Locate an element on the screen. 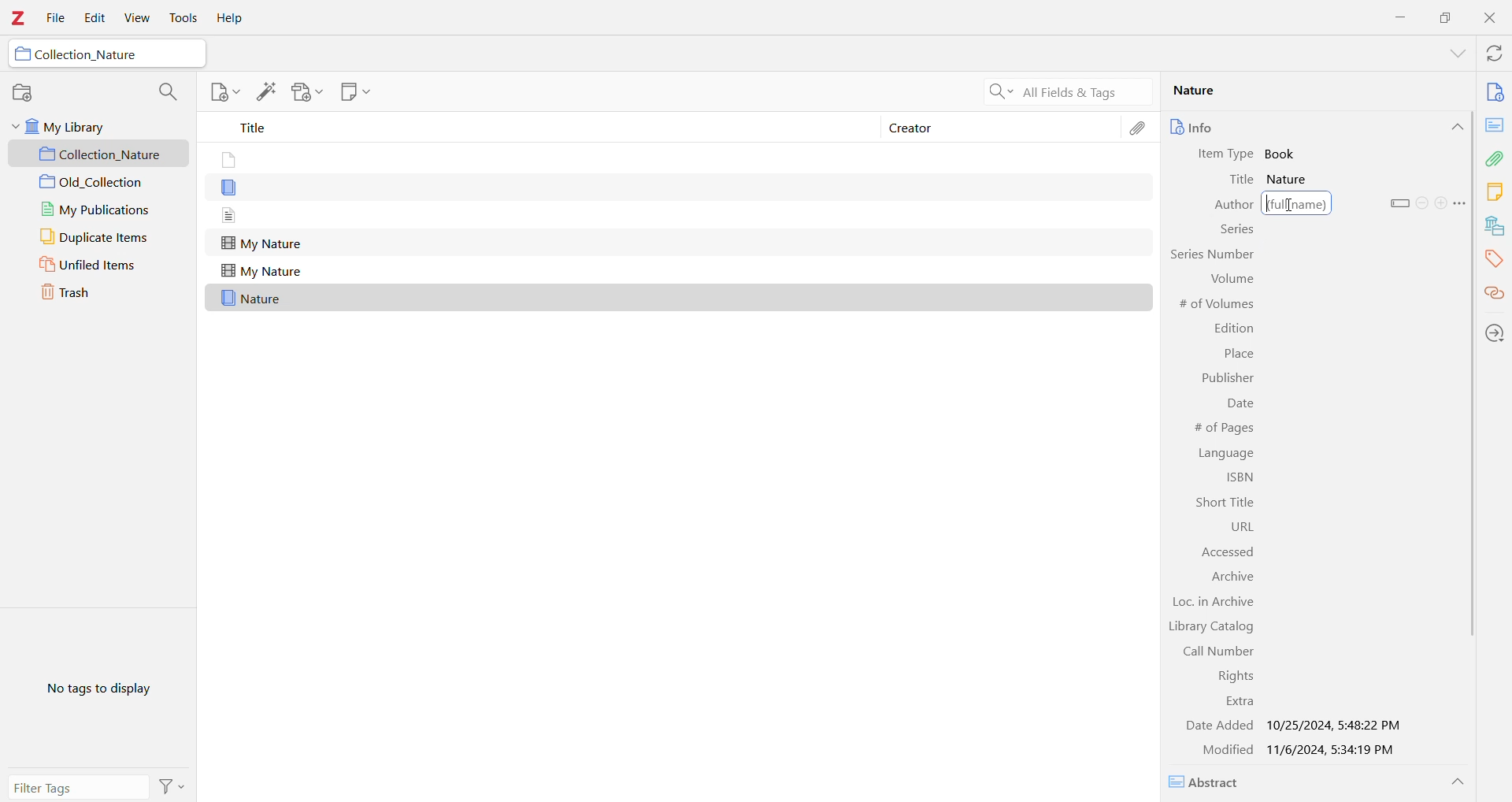  Search is located at coordinates (165, 92).